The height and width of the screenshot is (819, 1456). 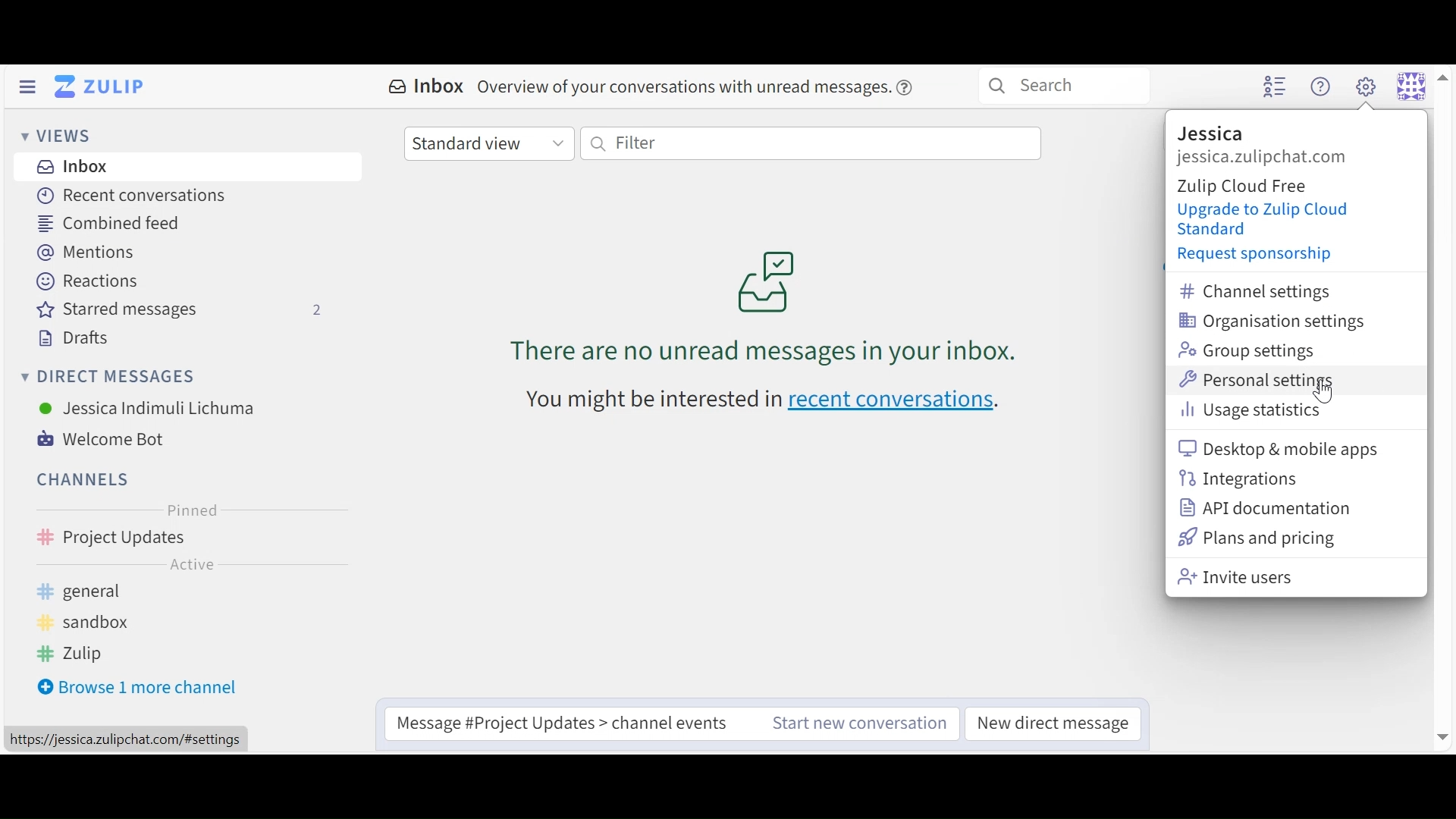 I want to click on API documentation, so click(x=1270, y=509).